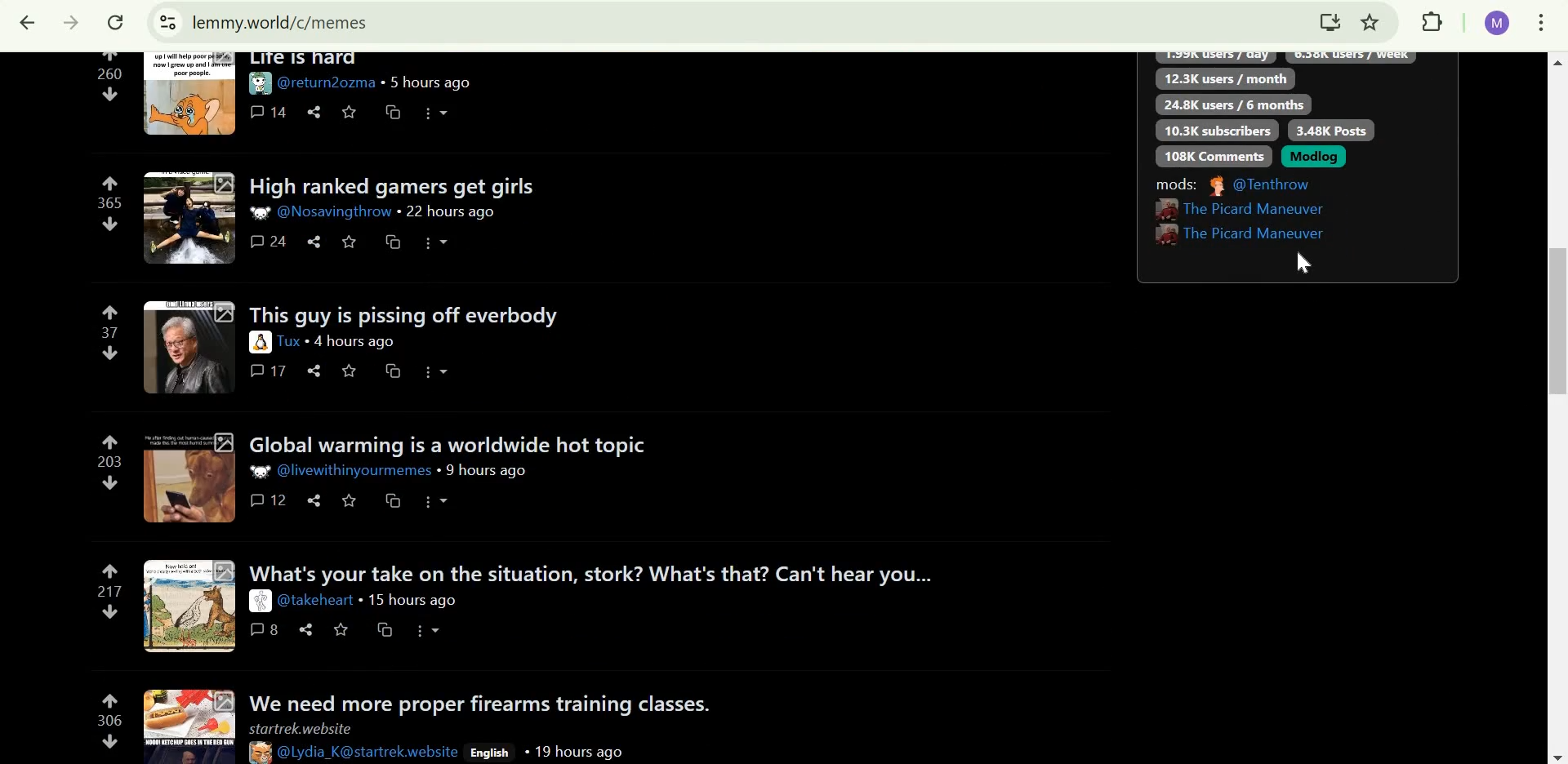 This screenshot has width=1568, height=764. Describe the element at coordinates (271, 242) in the screenshot. I see `24 comments` at that location.